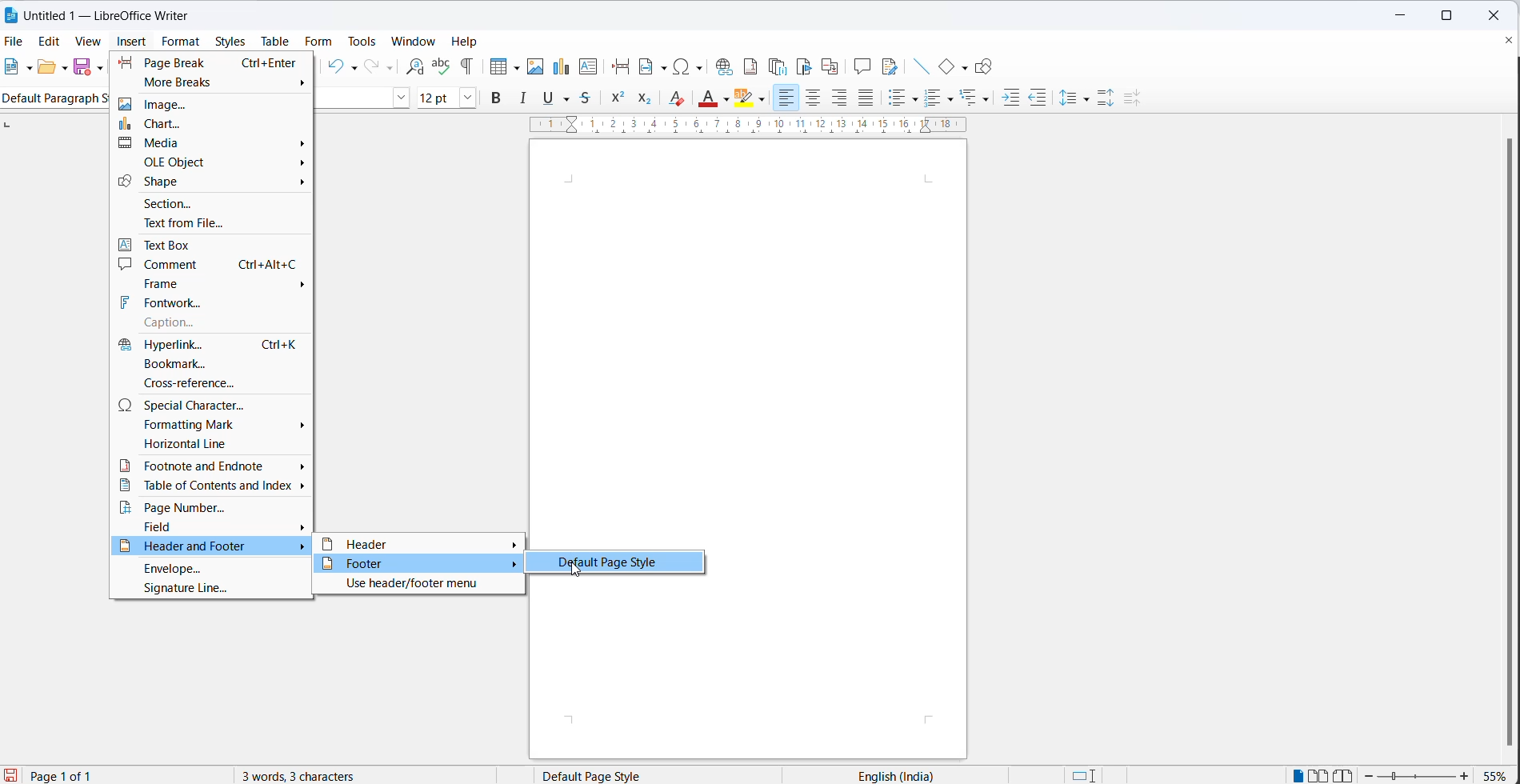  I want to click on toggle ordered list , so click(951, 99).